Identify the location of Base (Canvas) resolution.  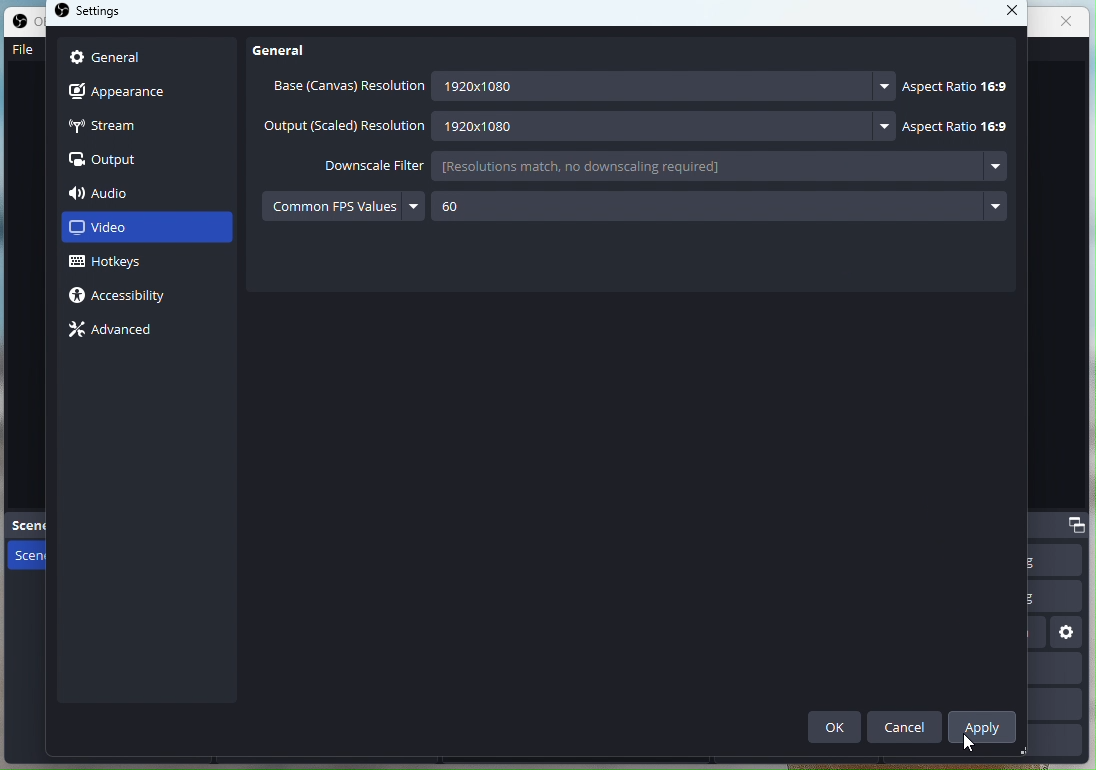
(343, 88).